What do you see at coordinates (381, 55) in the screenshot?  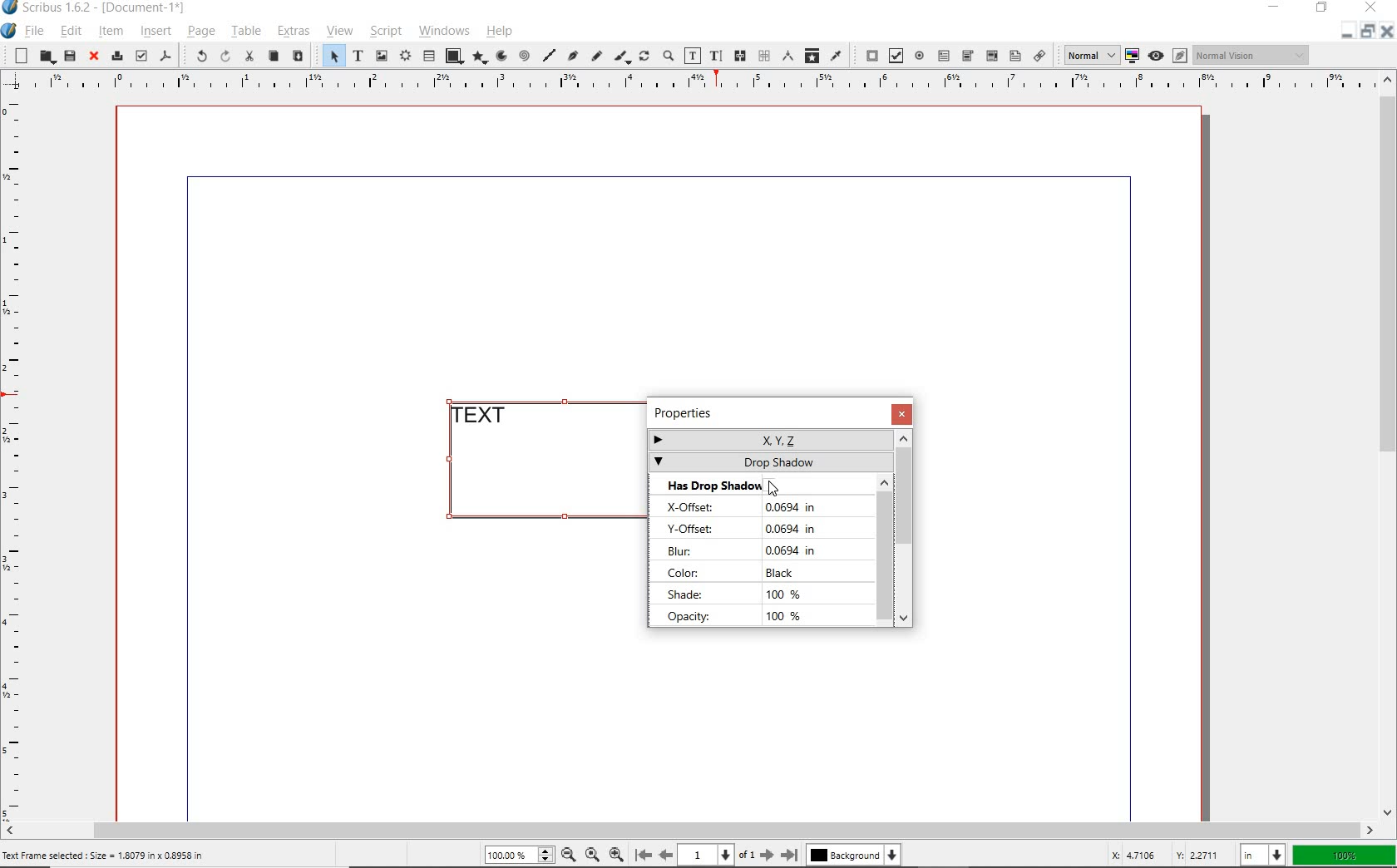 I see `image frame` at bounding box center [381, 55].